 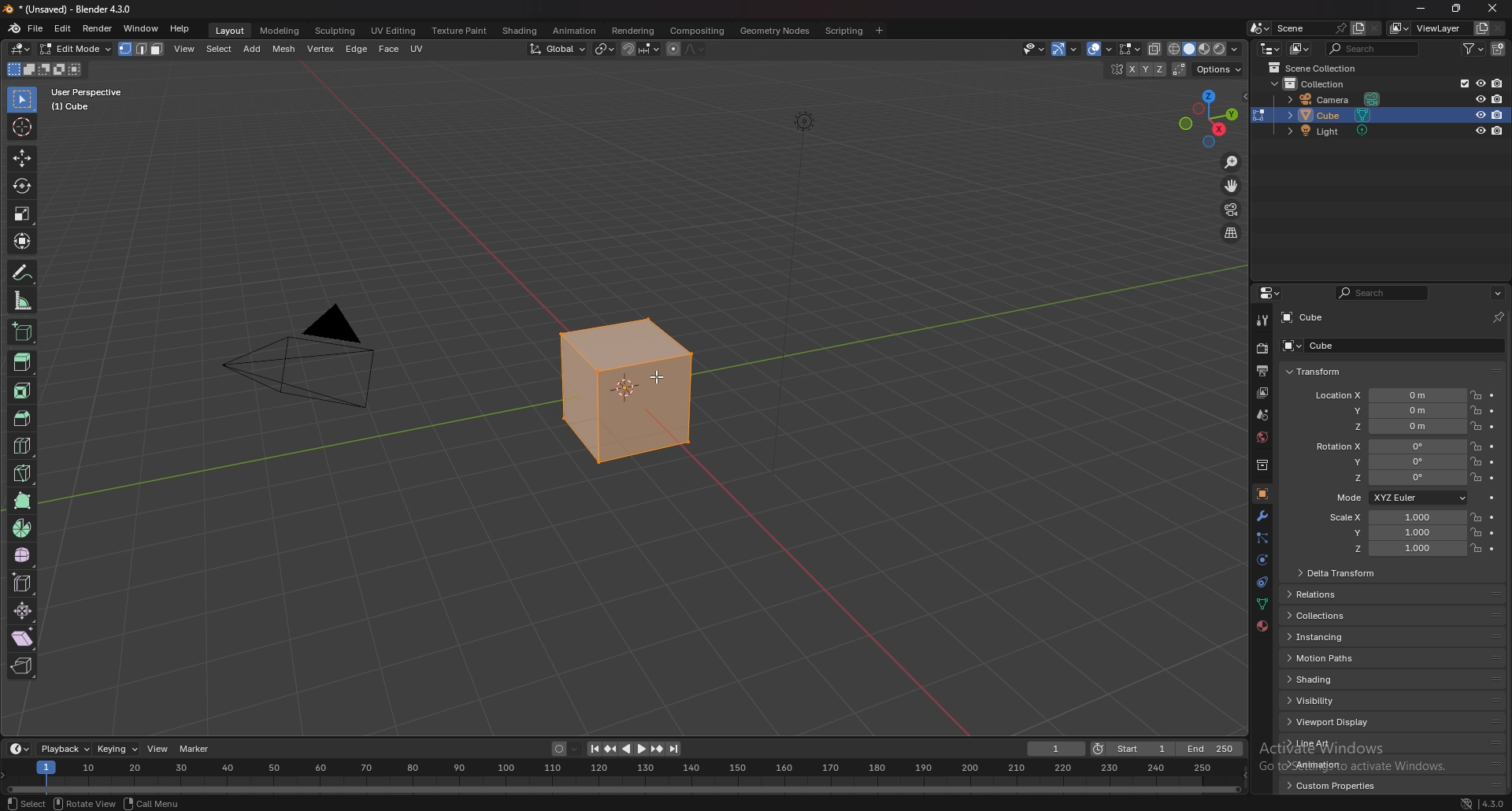 I want to click on hide in viewport, so click(x=1480, y=114).